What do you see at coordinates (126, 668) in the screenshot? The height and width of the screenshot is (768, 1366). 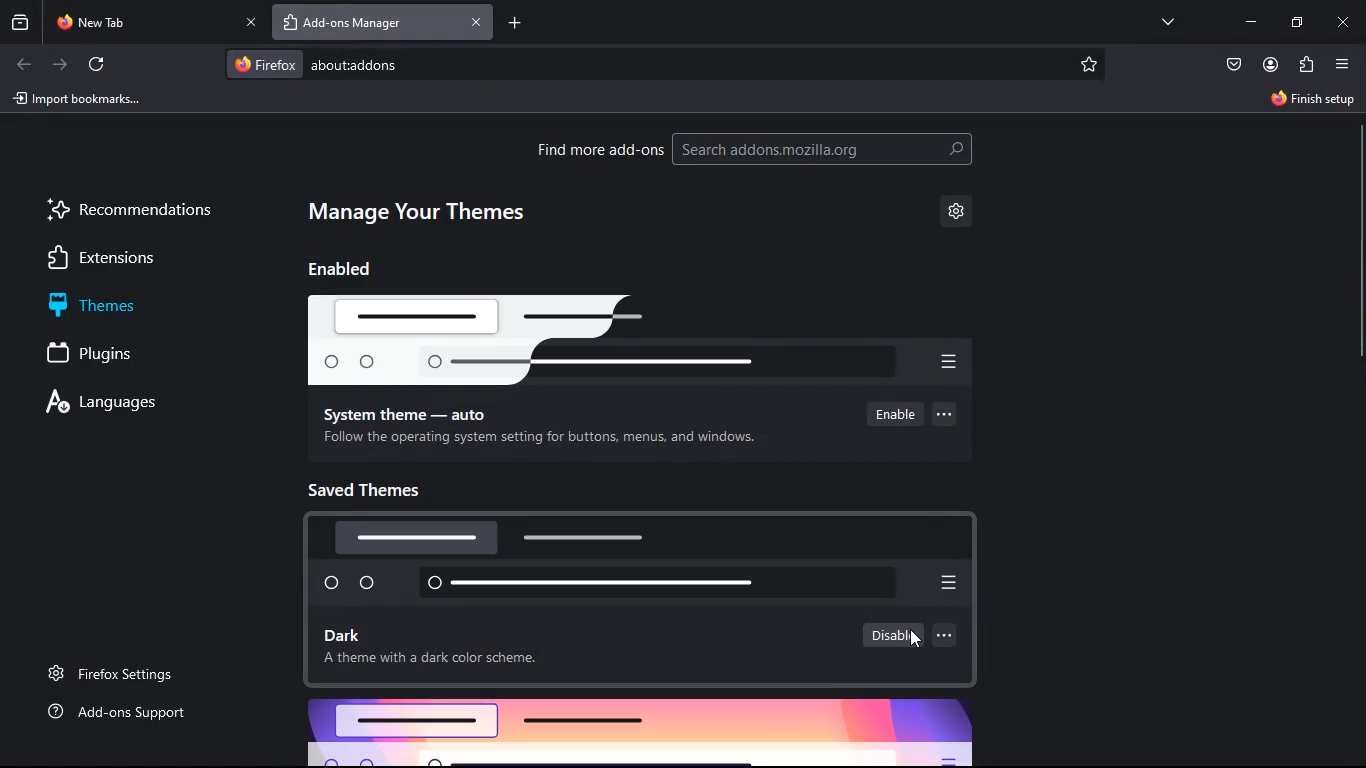 I see `firefox settings` at bounding box center [126, 668].